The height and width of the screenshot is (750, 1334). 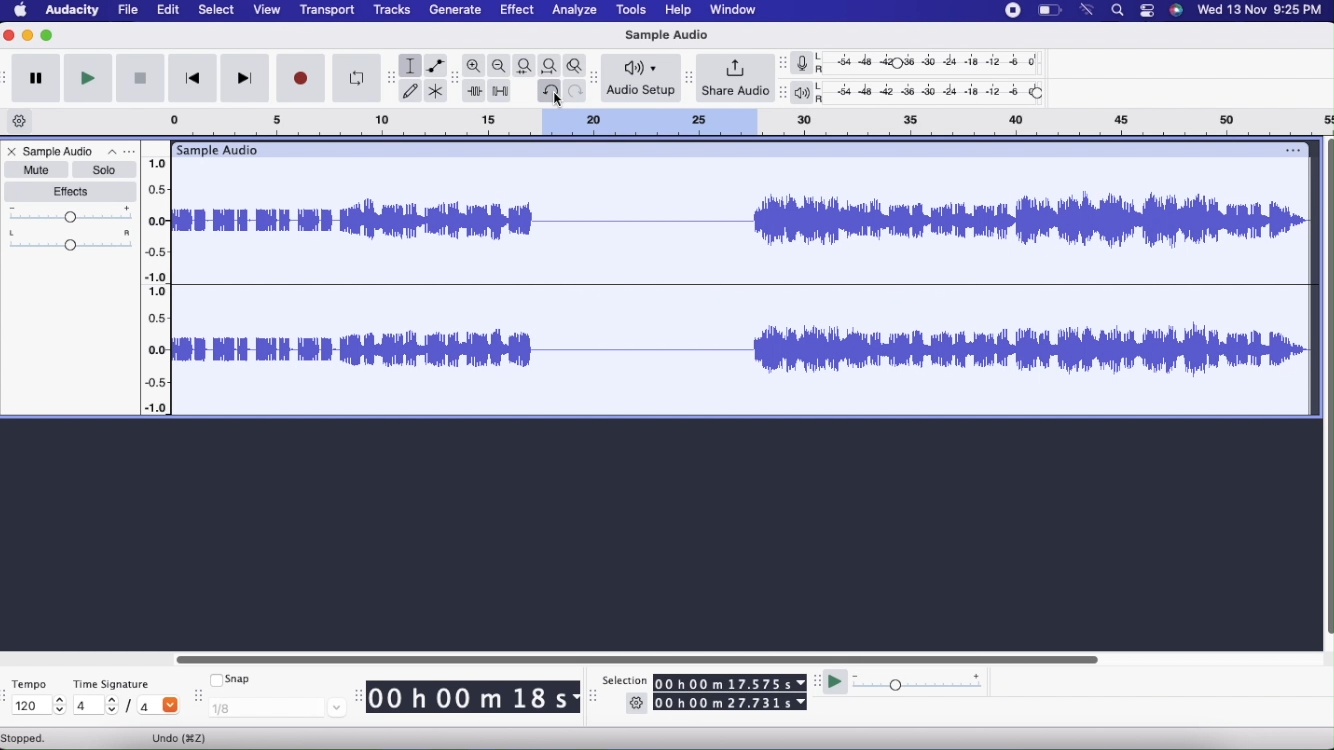 What do you see at coordinates (392, 77) in the screenshot?
I see `move toolbar` at bounding box center [392, 77].